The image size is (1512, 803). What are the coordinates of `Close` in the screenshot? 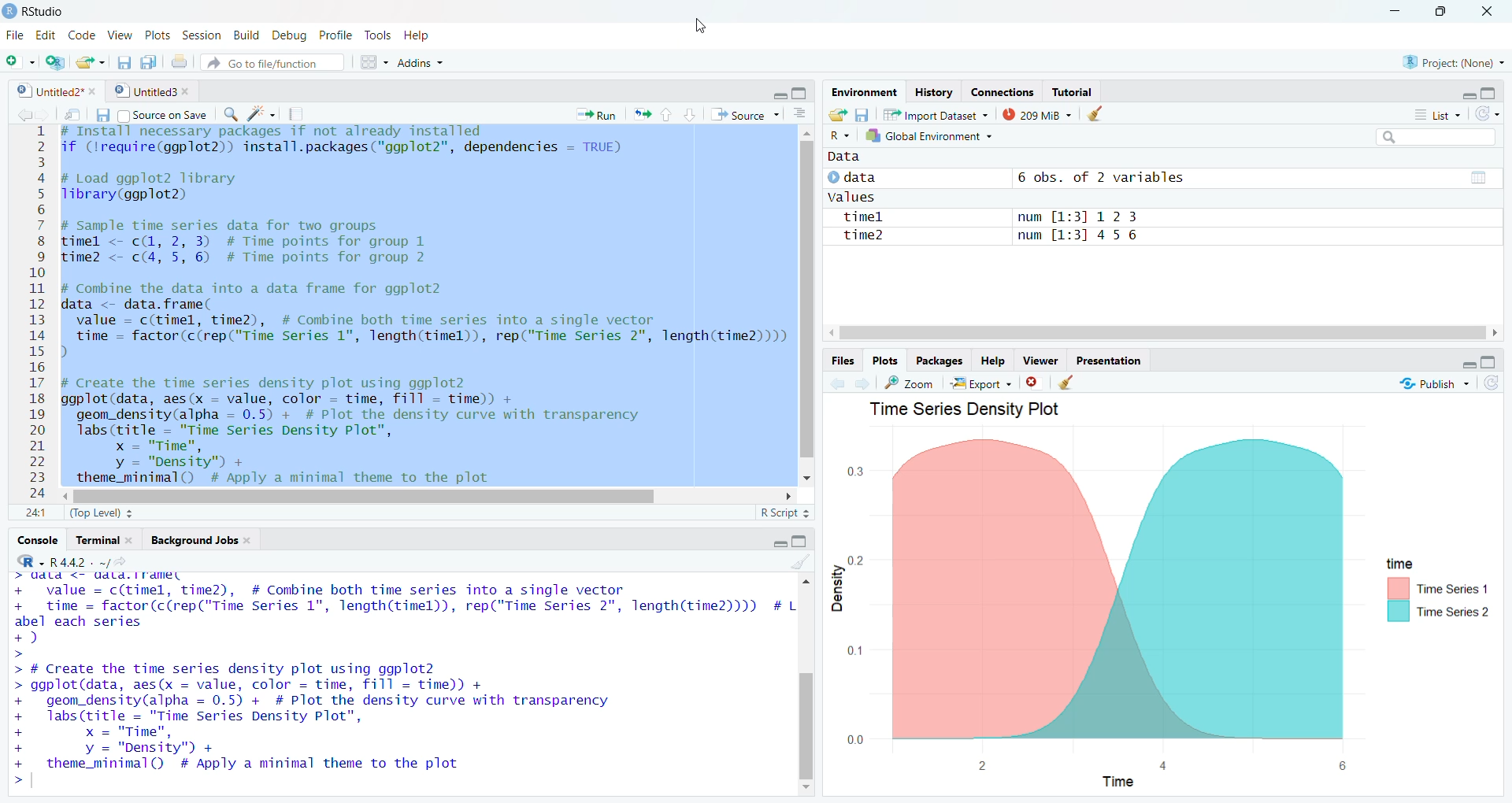 It's located at (1487, 13).